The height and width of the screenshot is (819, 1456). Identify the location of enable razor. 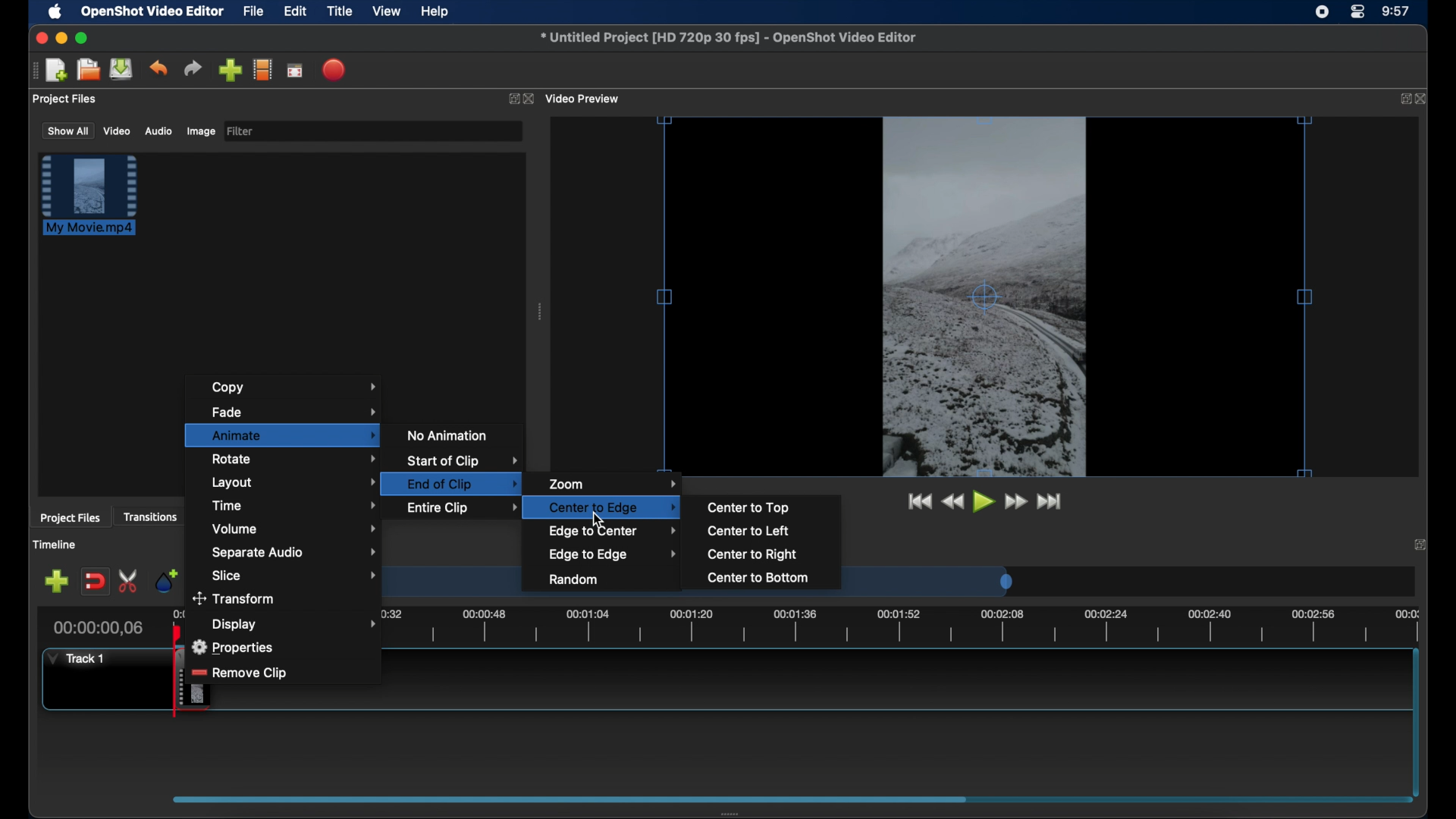
(129, 582).